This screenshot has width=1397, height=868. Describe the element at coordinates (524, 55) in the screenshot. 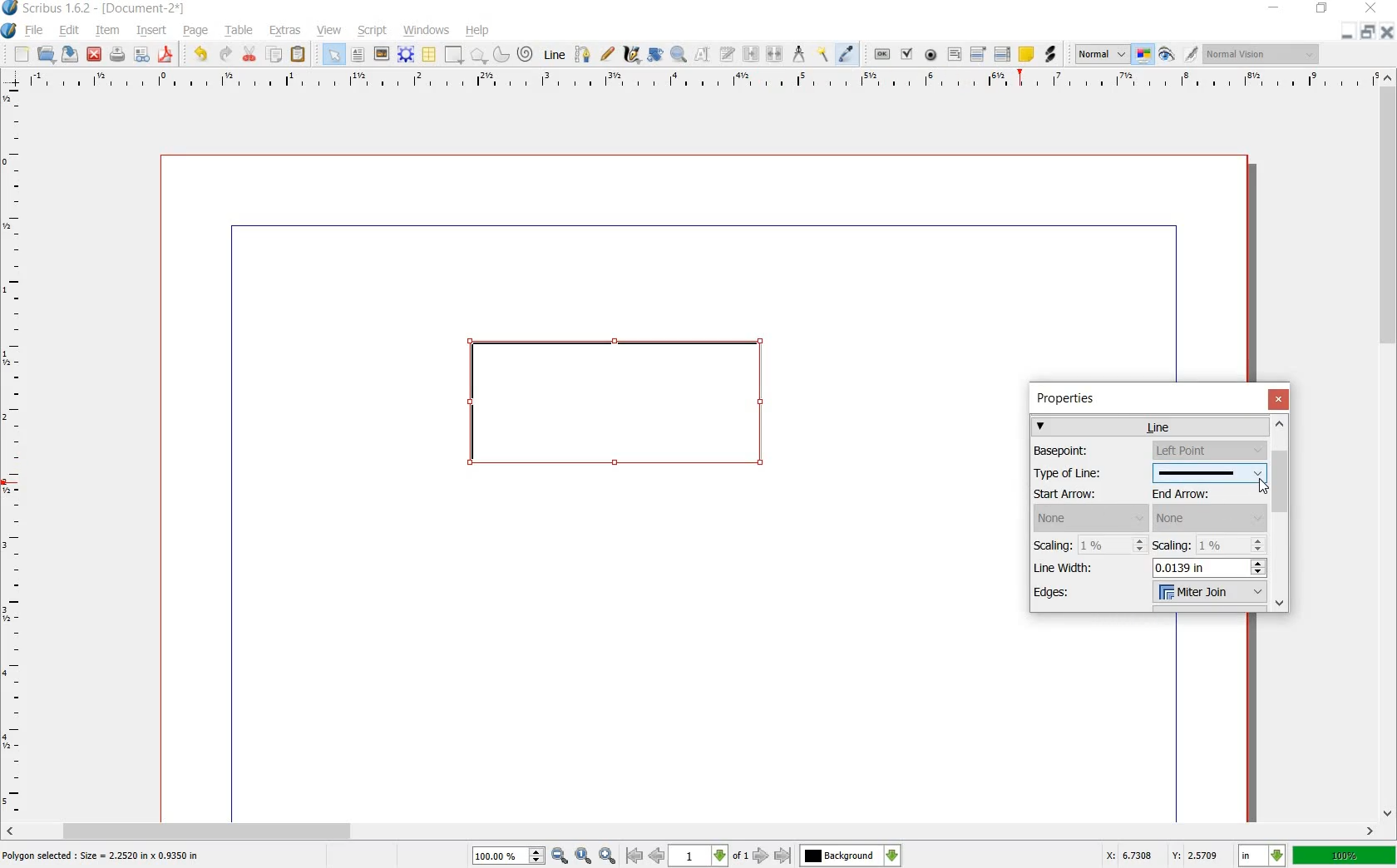

I see `SPIRAL` at that location.